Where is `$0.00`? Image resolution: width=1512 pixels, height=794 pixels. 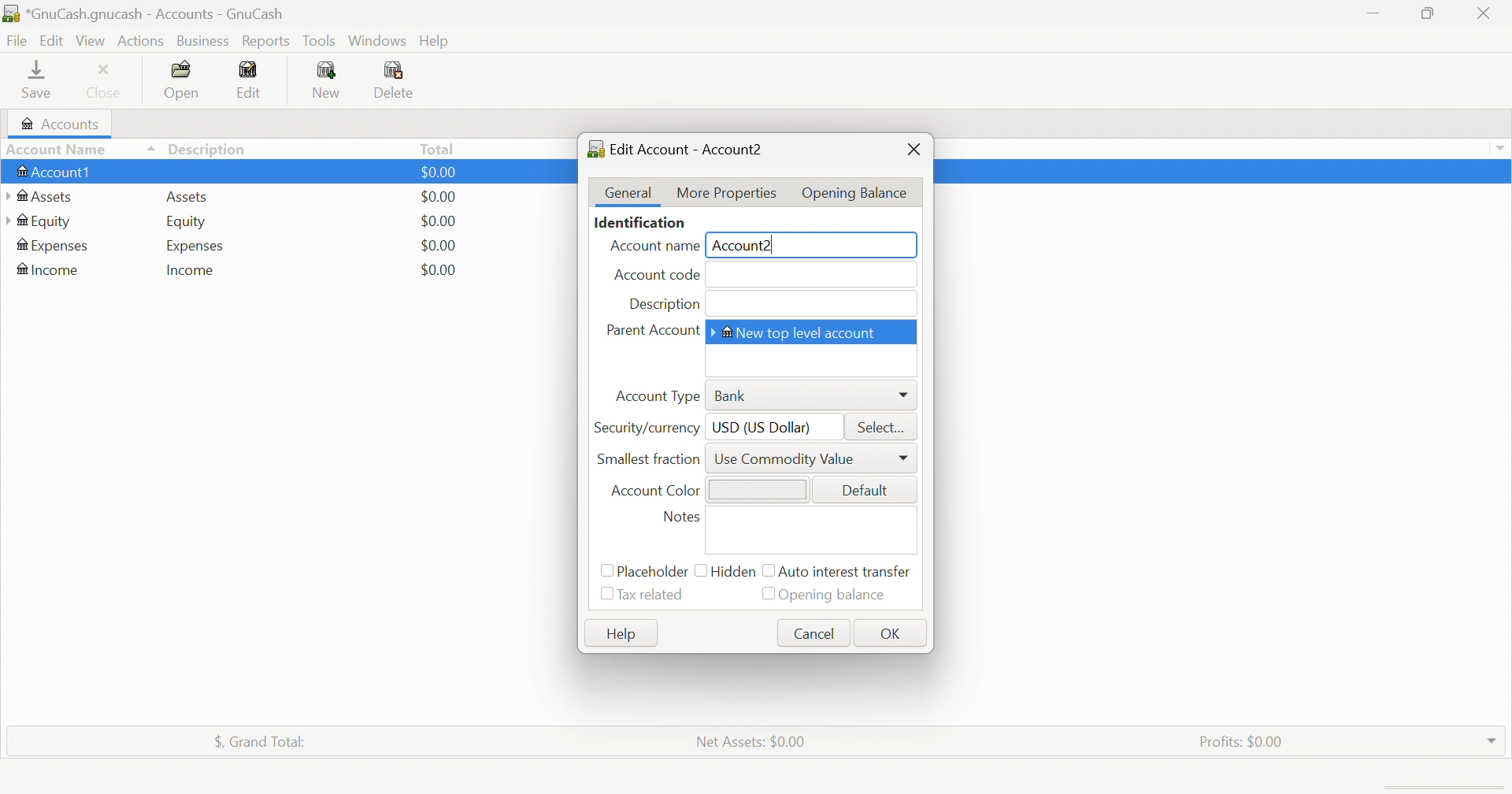 $0.00 is located at coordinates (439, 197).